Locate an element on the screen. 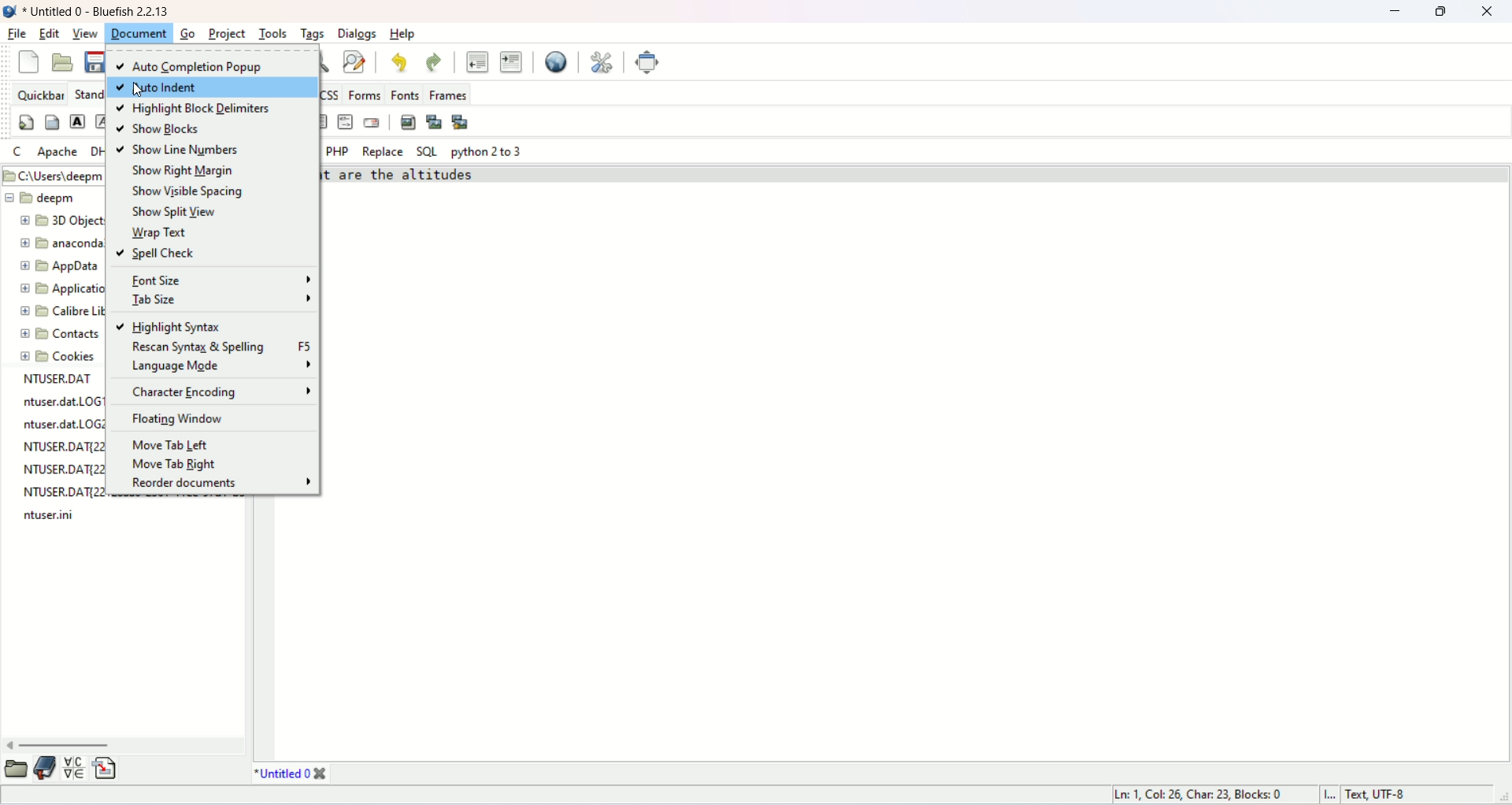 Image resolution: width=1512 pixels, height=805 pixels. fullscreen is located at coordinates (649, 61).